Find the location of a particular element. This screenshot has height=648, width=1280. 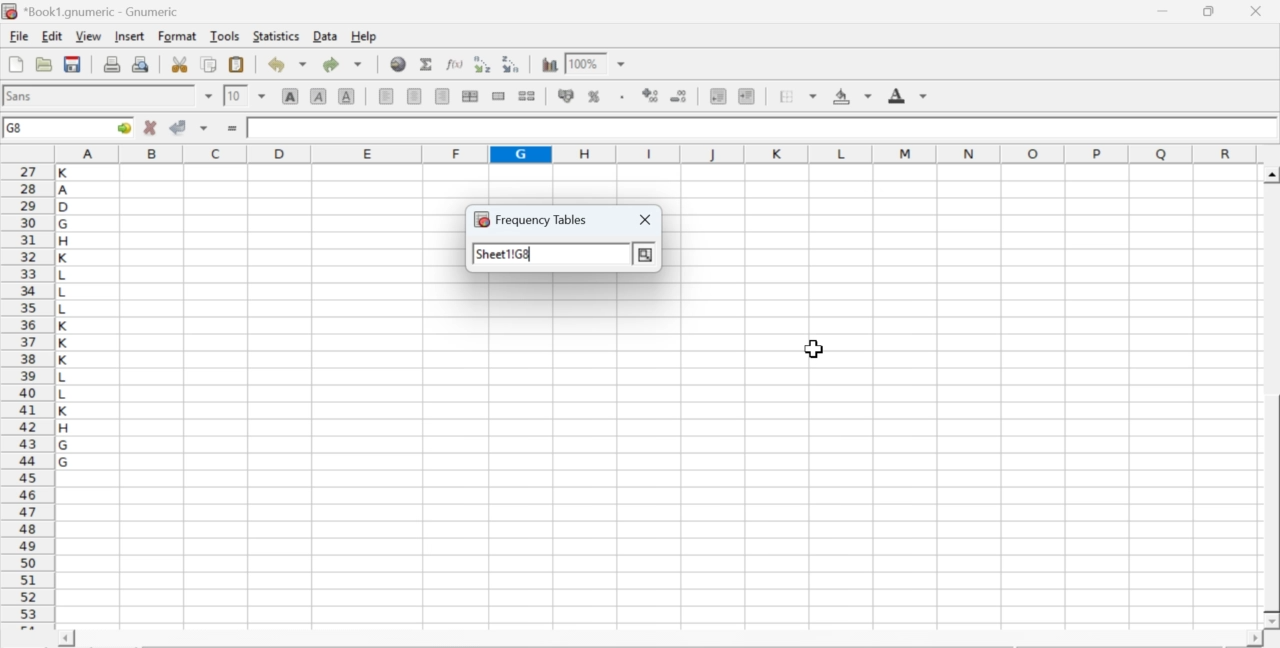

close is located at coordinates (651, 219).